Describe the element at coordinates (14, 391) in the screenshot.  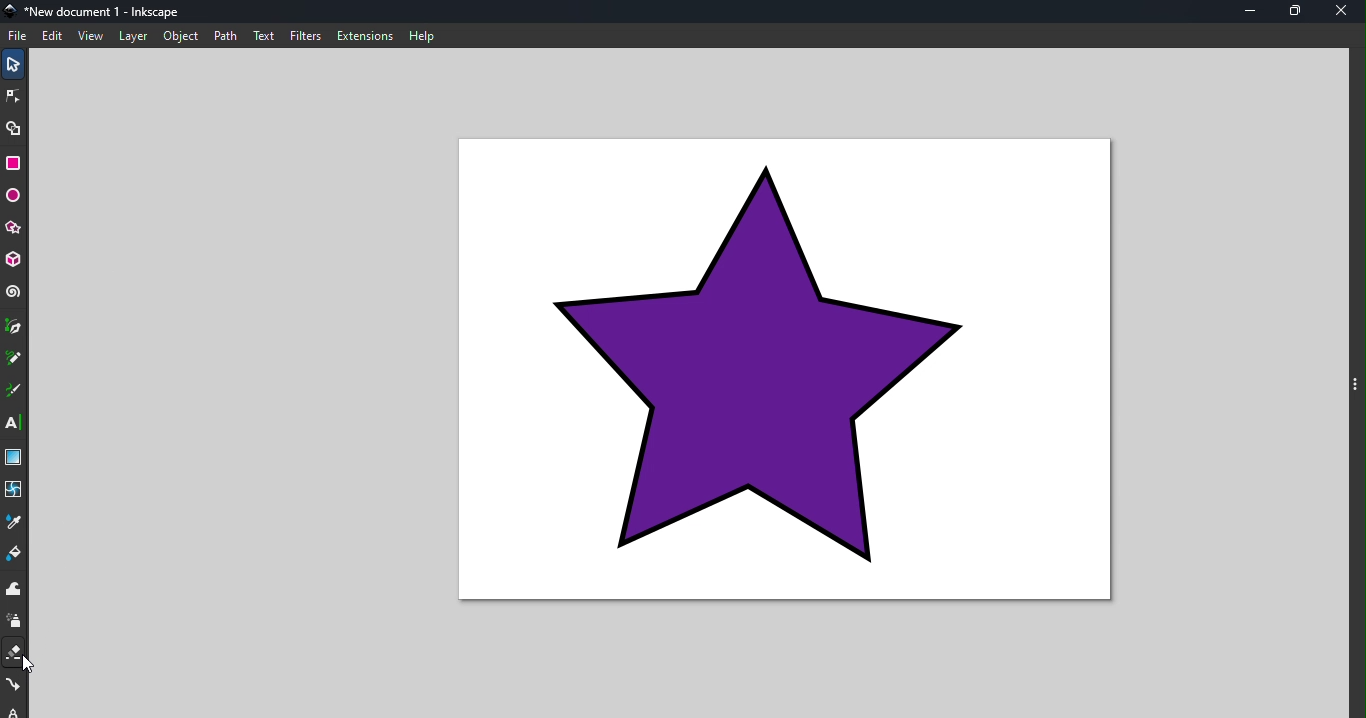
I see `calligraphy tool` at that location.